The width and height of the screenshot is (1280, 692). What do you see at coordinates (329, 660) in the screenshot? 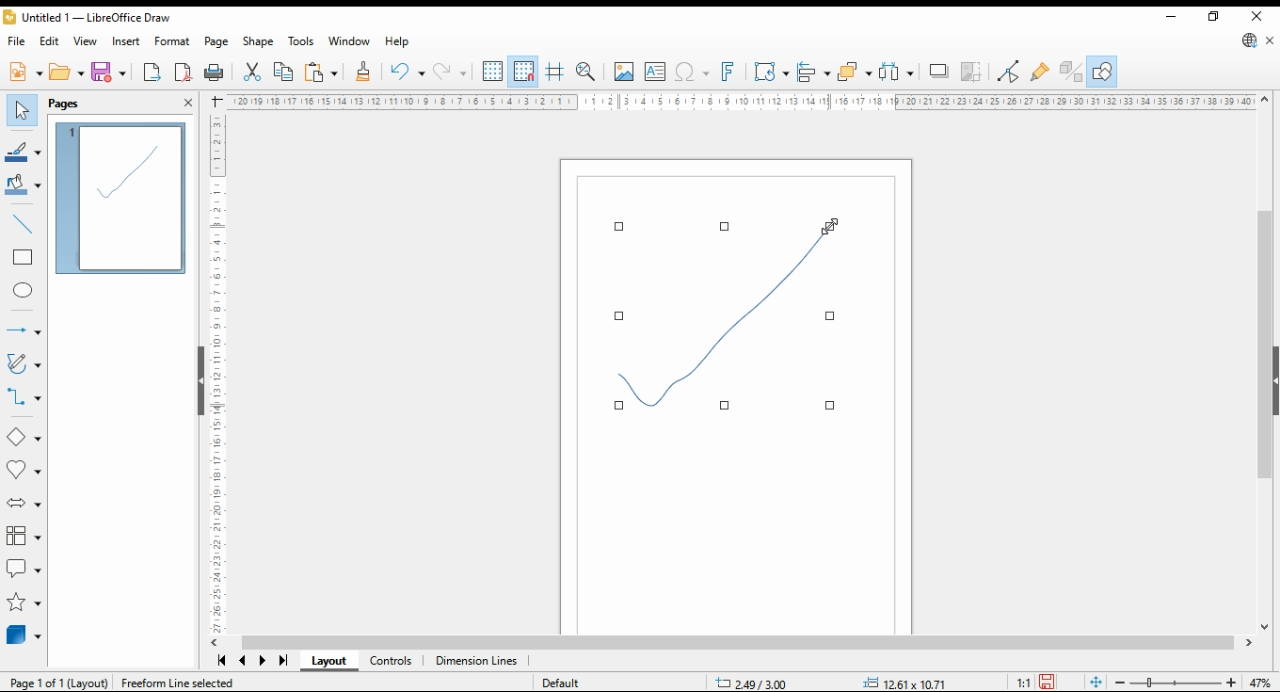
I see `layout` at bounding box center [329, 660].